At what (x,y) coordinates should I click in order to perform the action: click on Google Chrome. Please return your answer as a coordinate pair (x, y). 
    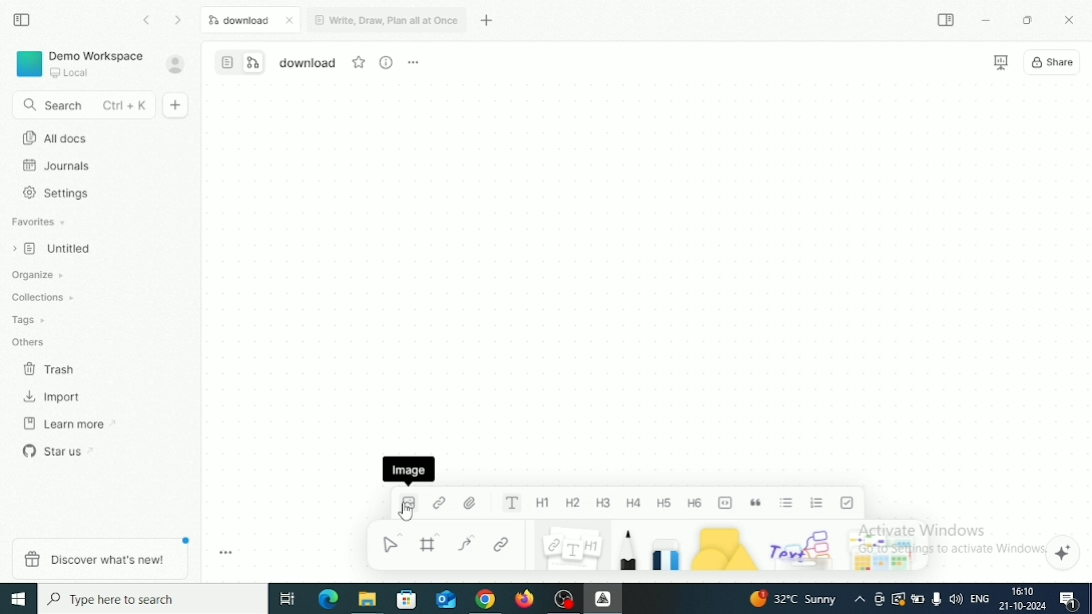
    Looking at the image, I should click on (485, 599).